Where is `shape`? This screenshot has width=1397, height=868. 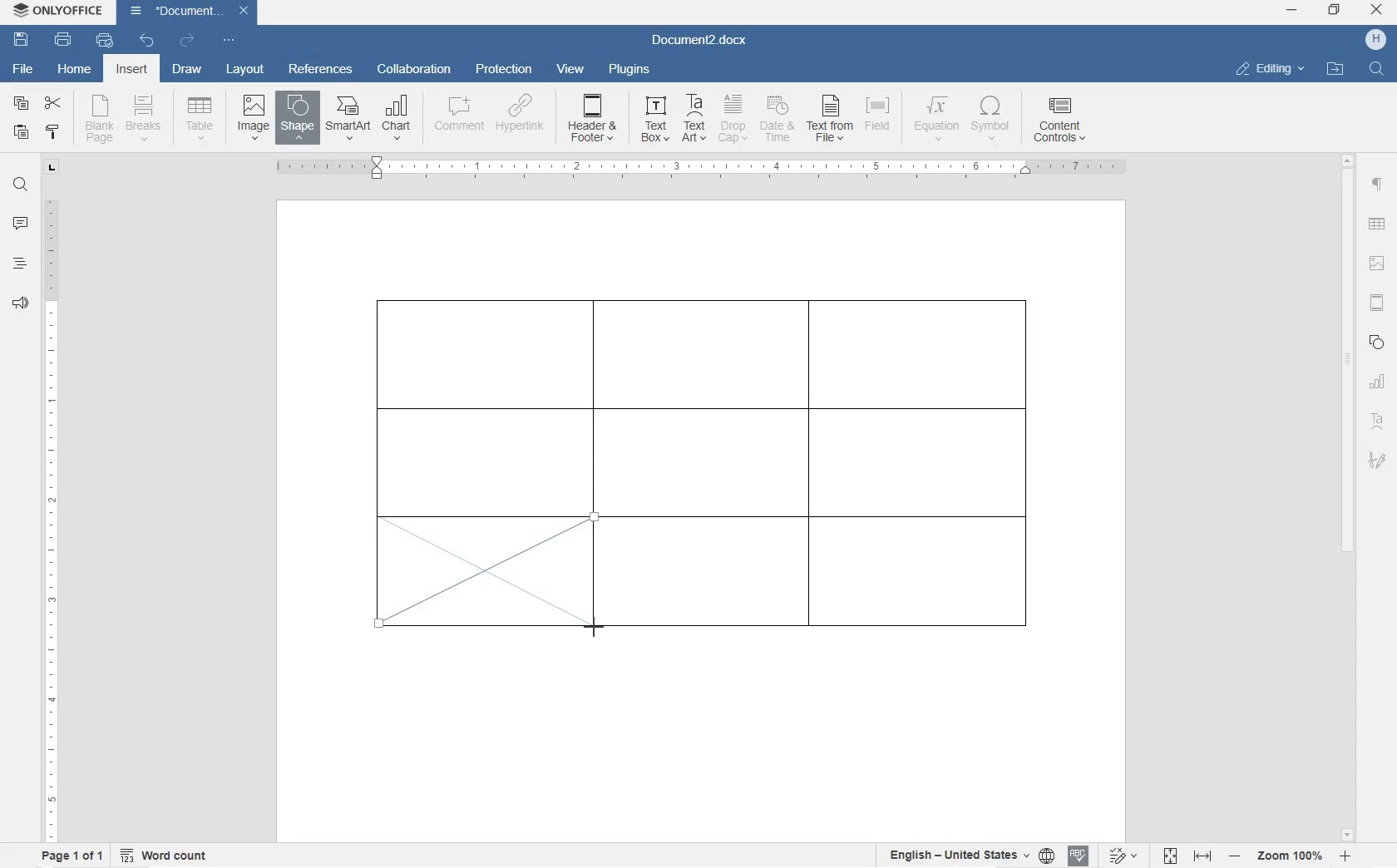 shape is located at coordinates (1377, 342).